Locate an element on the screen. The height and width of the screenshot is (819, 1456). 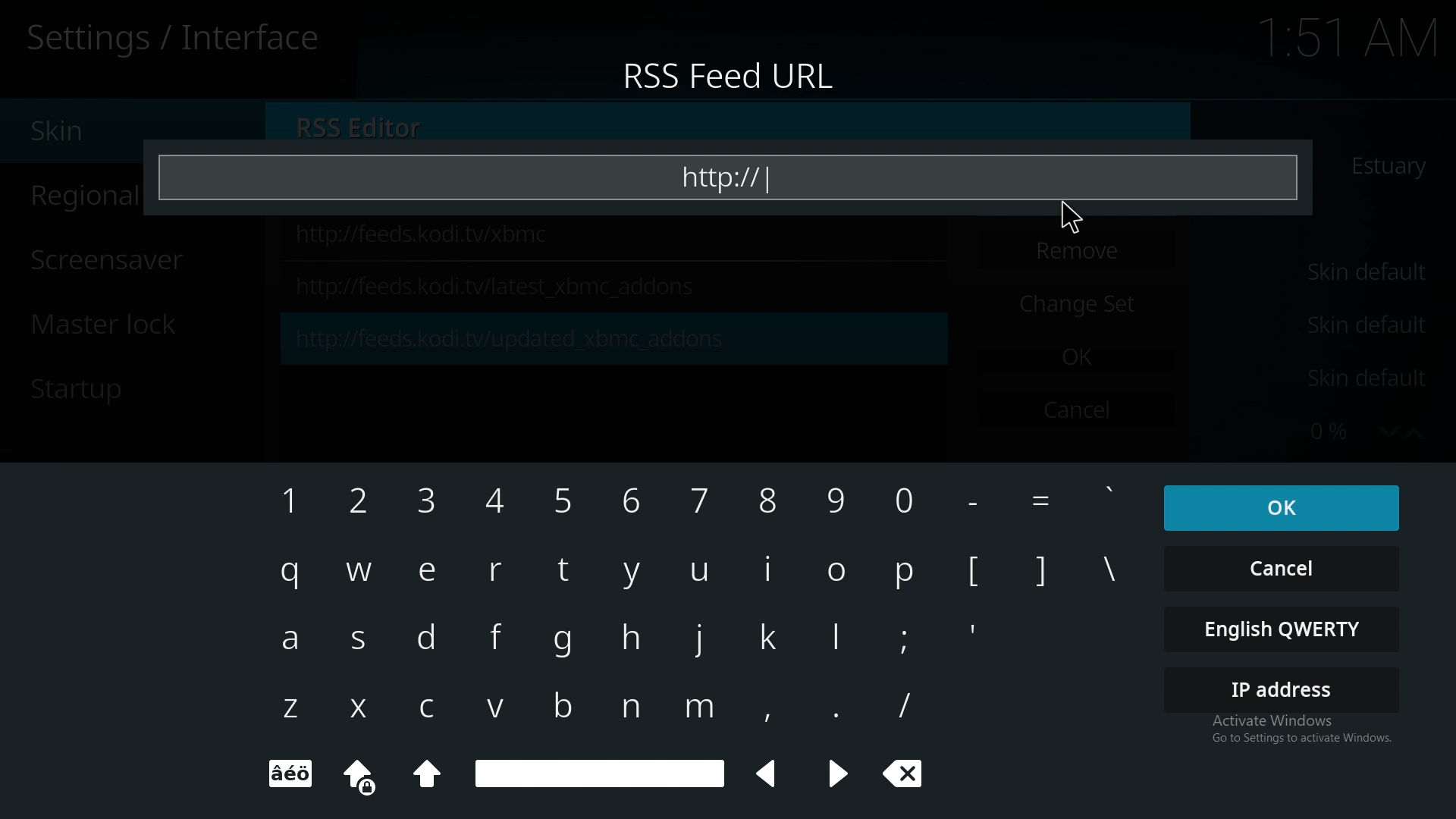
2 is located at coordinates (370, 504).